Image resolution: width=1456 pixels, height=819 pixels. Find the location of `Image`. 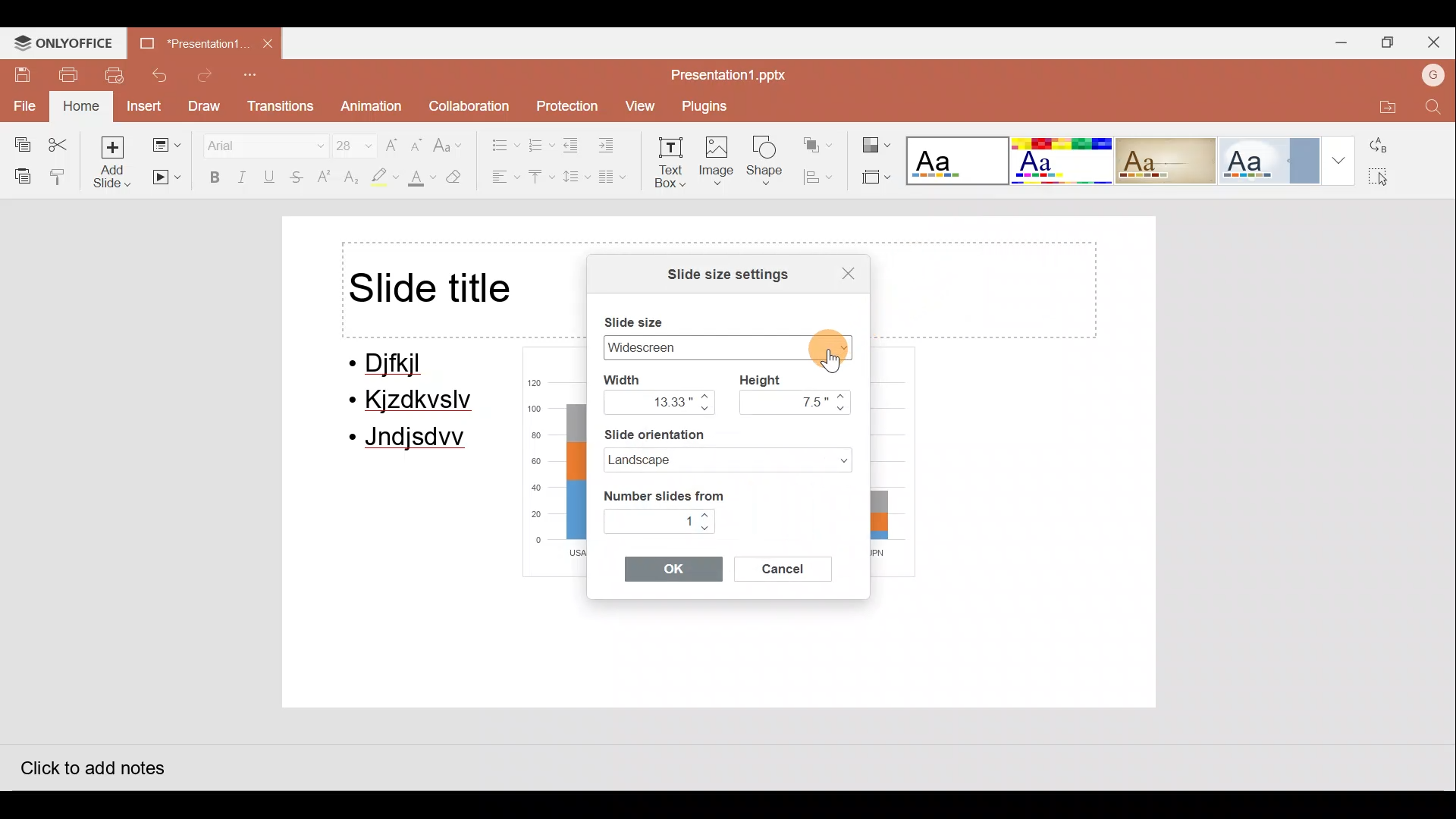

Image is located at coordinates (718, 164).